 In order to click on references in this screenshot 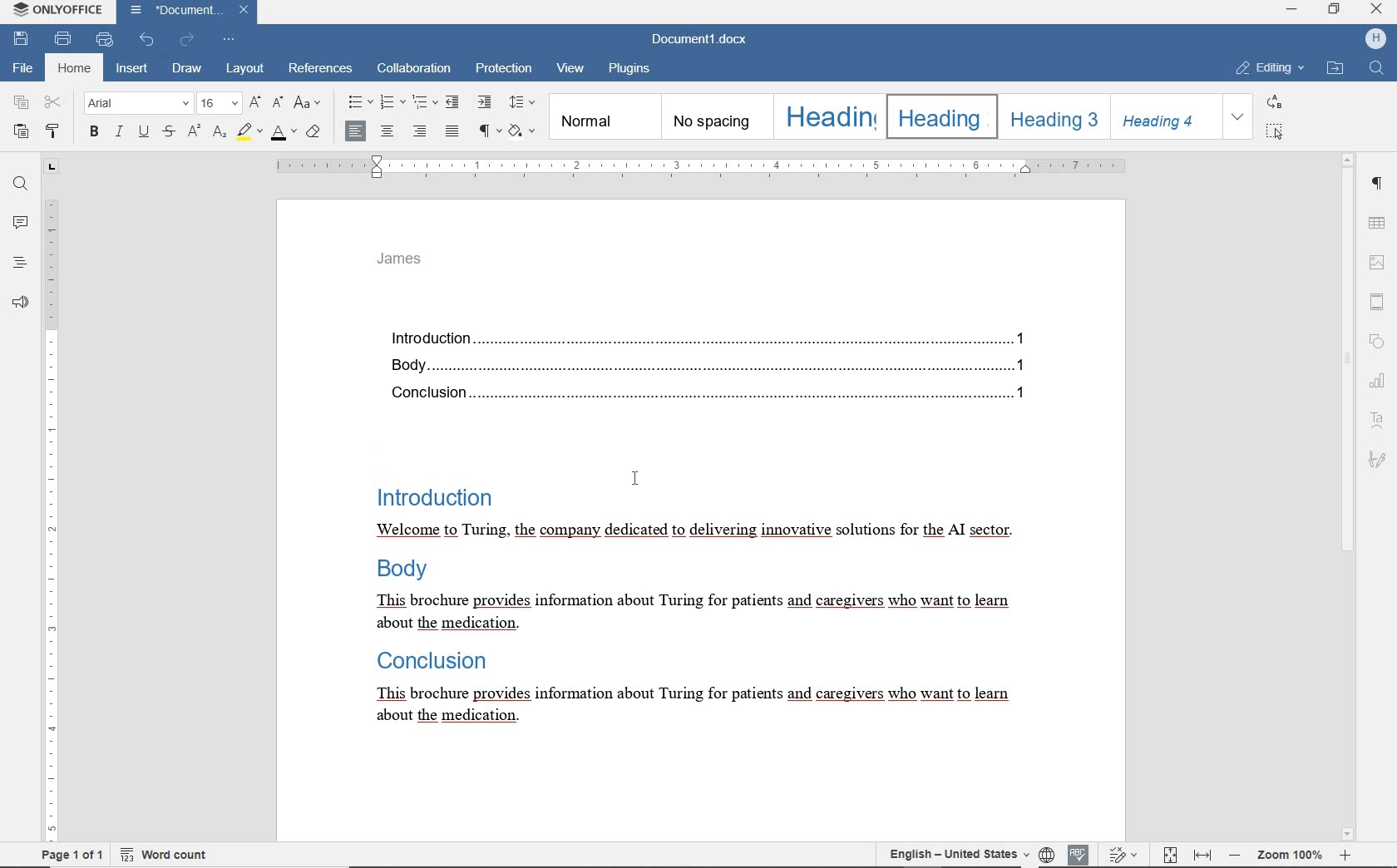, I will do `click(322, 71)`.